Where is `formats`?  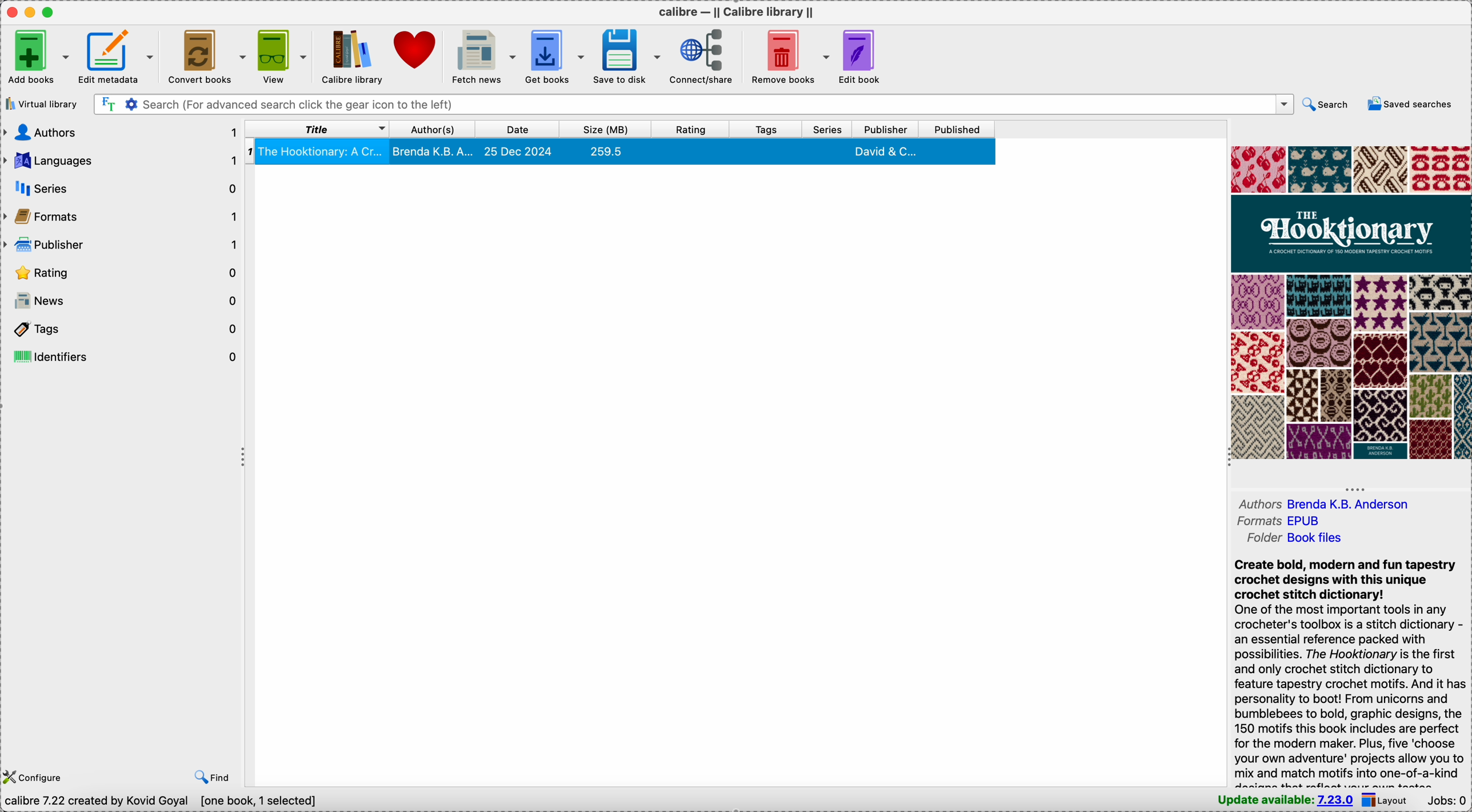 formats is located at coordinates (1279, 523).